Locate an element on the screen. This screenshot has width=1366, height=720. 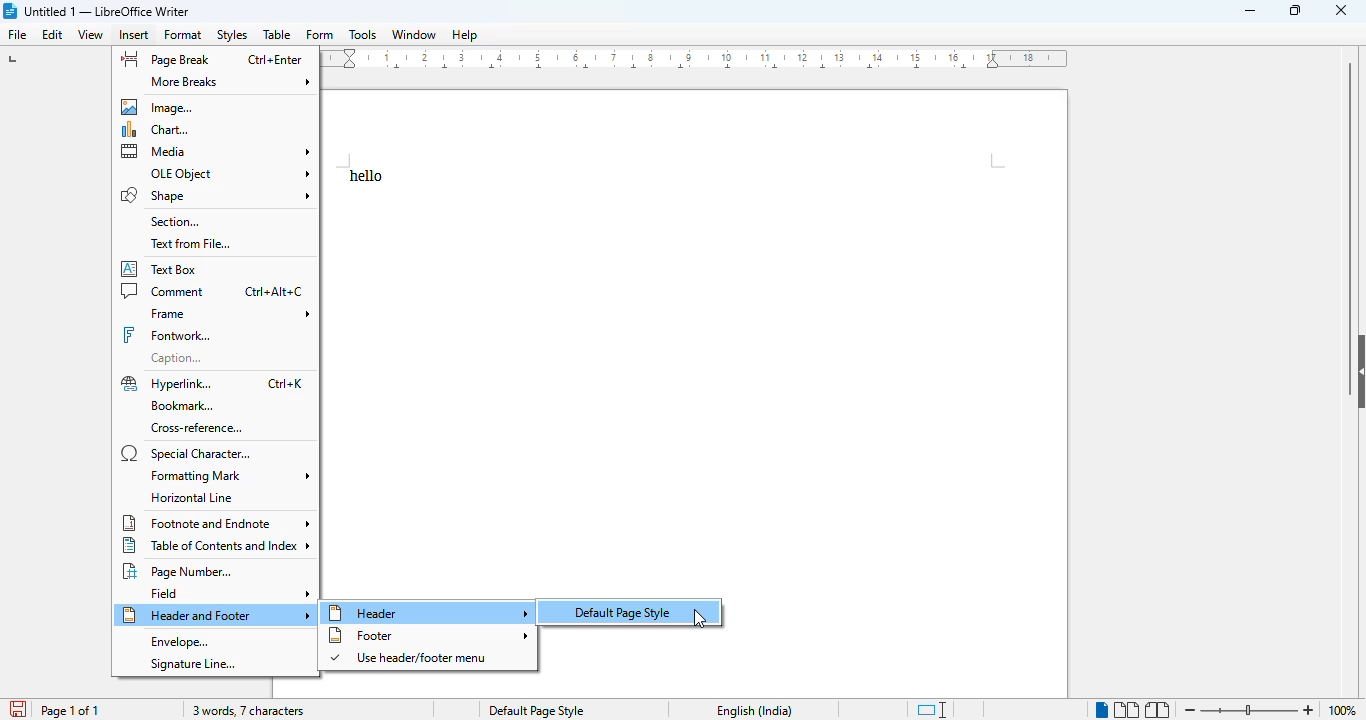
footer is located at coordinates (430, 635).